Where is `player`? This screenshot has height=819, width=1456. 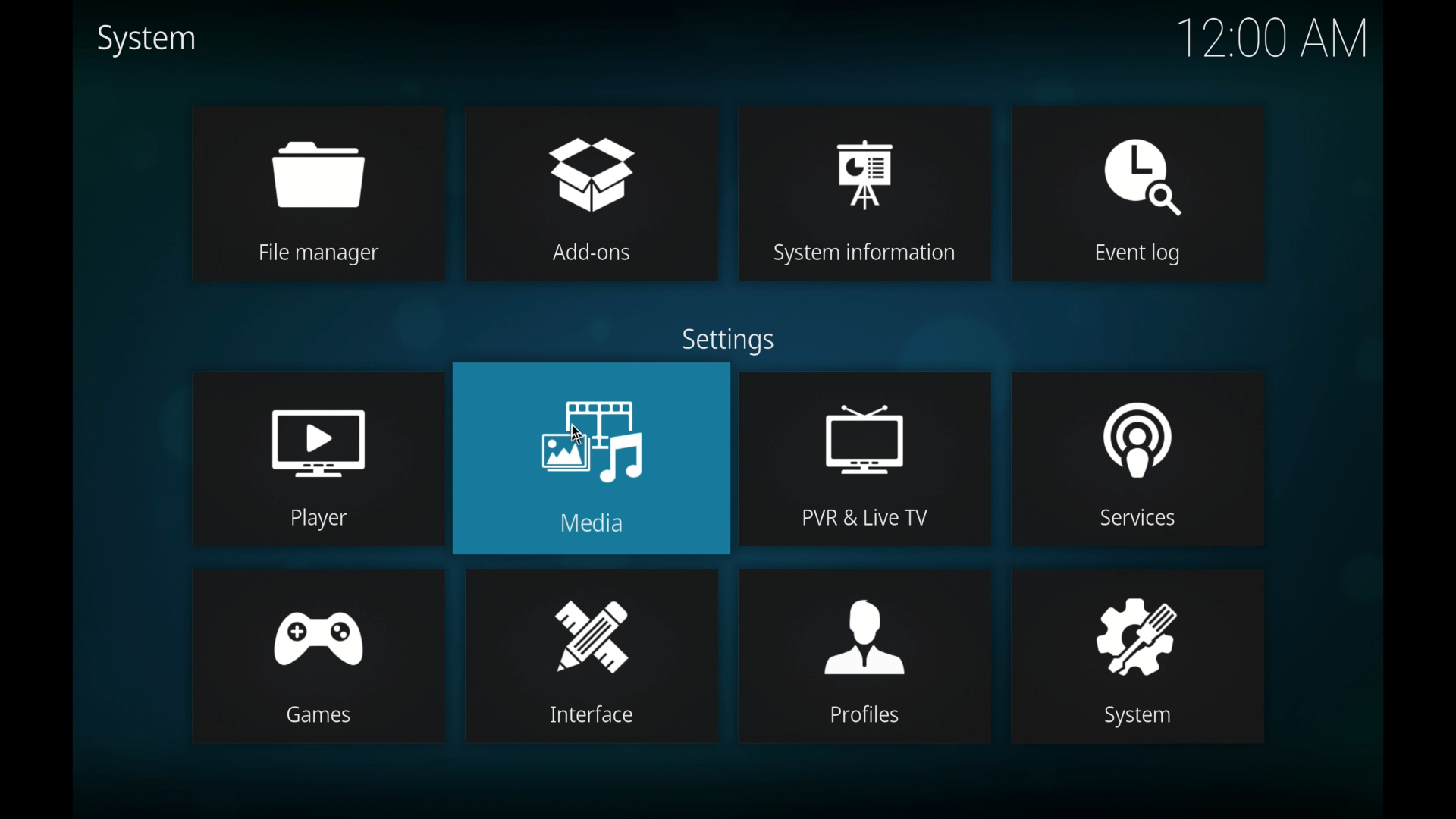 player is located at coordinates (315, 458).